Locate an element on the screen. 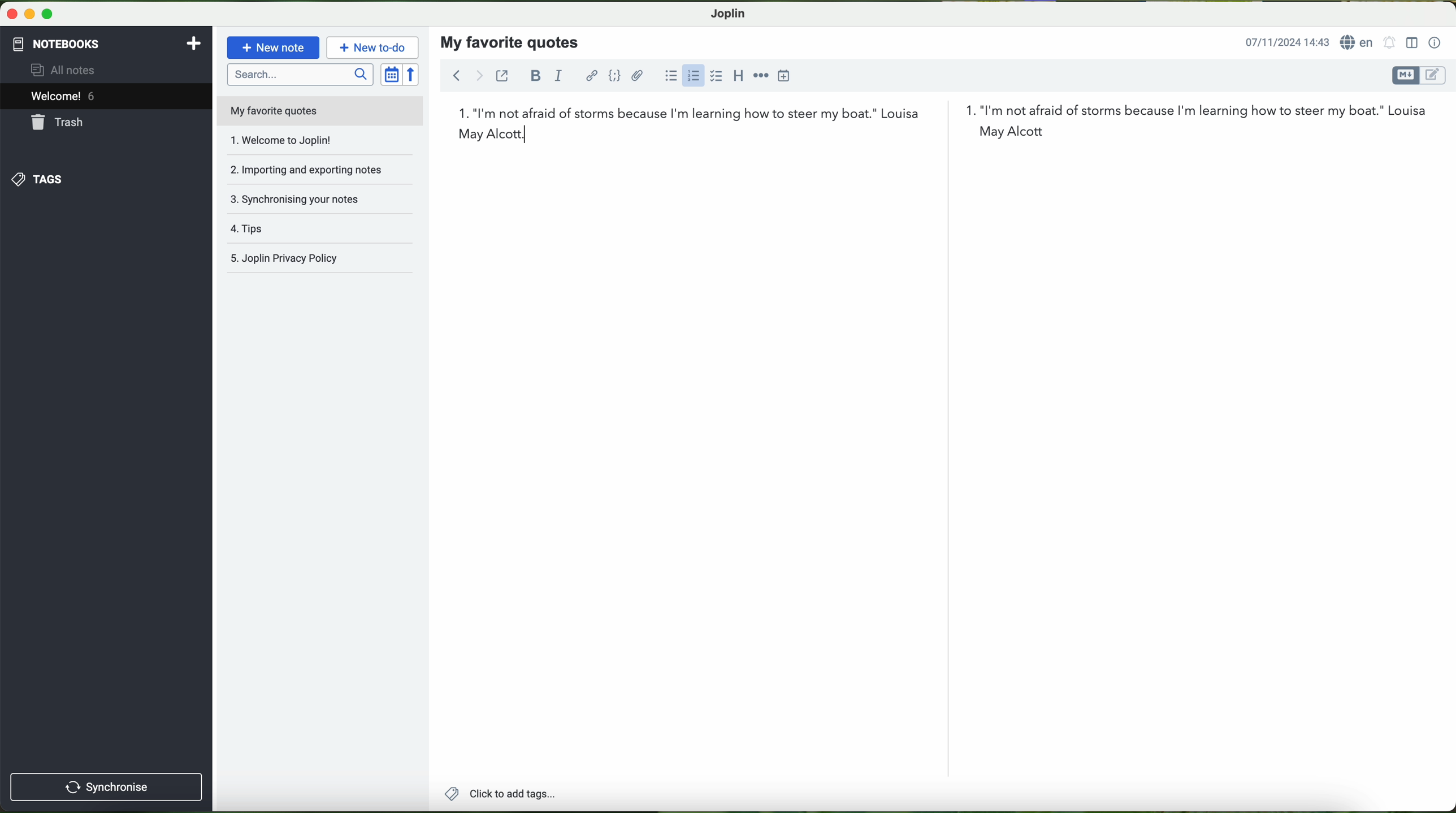 The width and height of the screenshot is (1456, 813). checkbox is located at coordinates (716, 77).